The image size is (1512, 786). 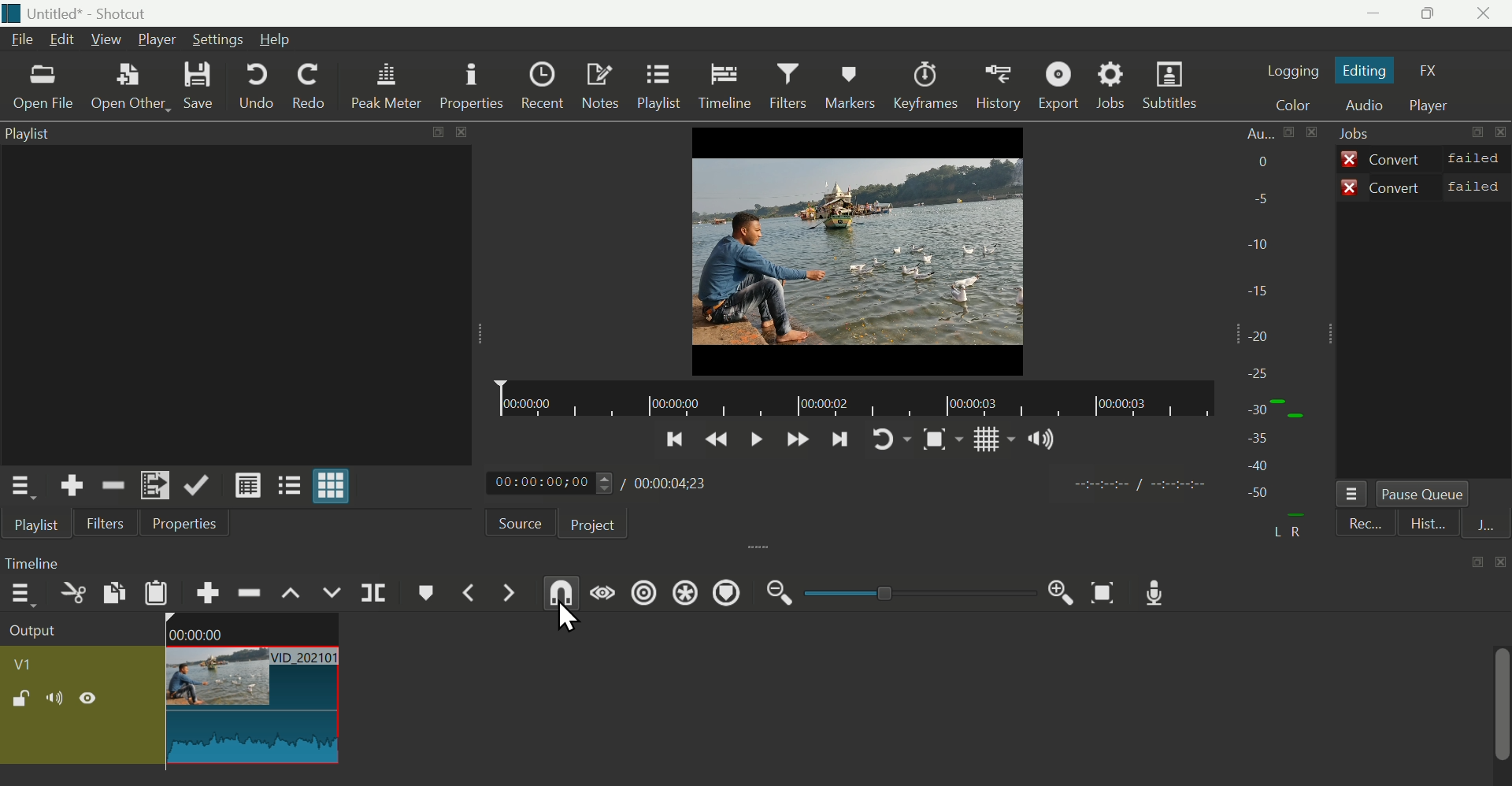 I want to click on Playlist, so click(x=33, y=137).